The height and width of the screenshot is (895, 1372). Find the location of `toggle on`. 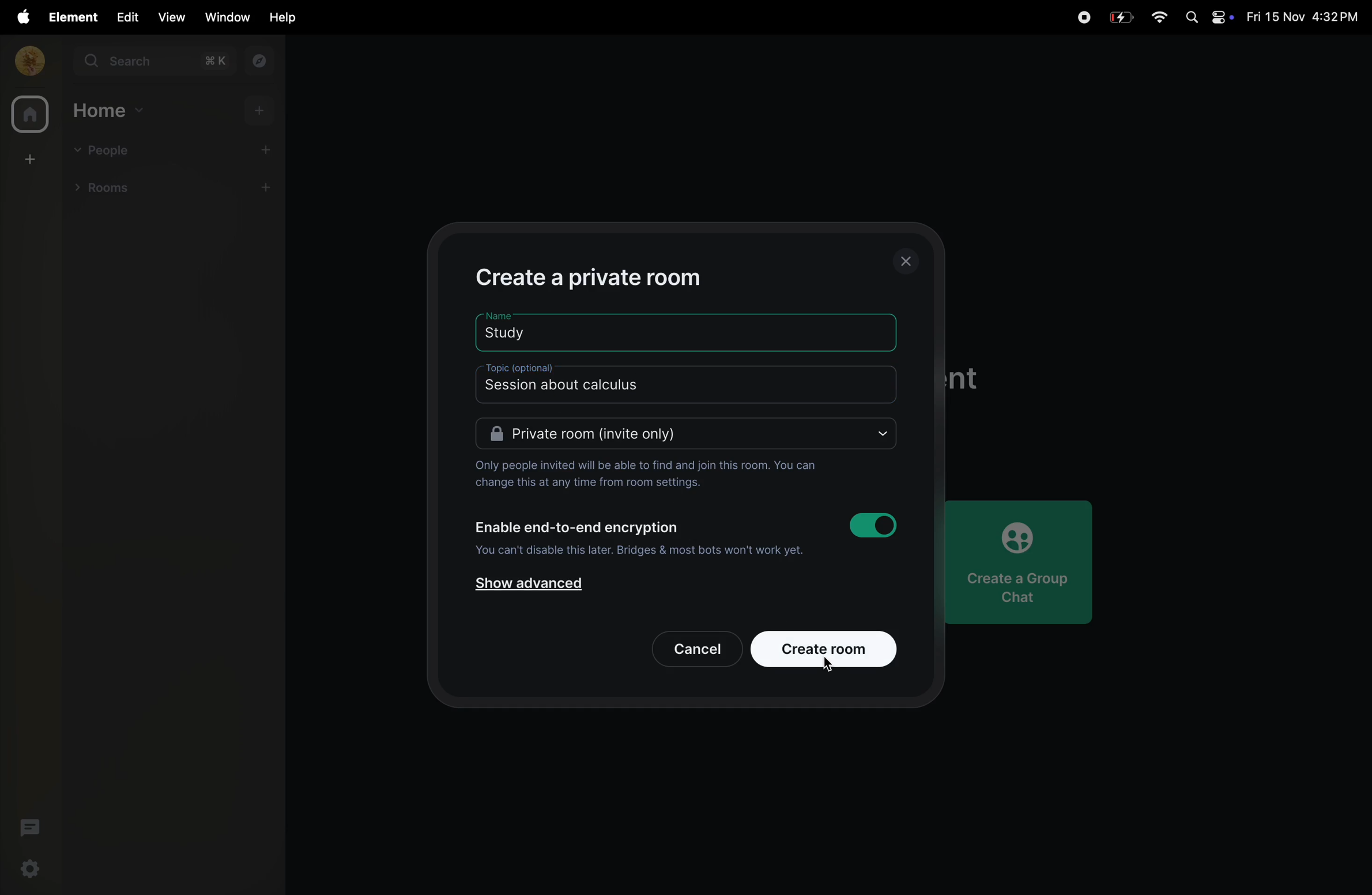

toggle on is located at coordinates (877, 525).